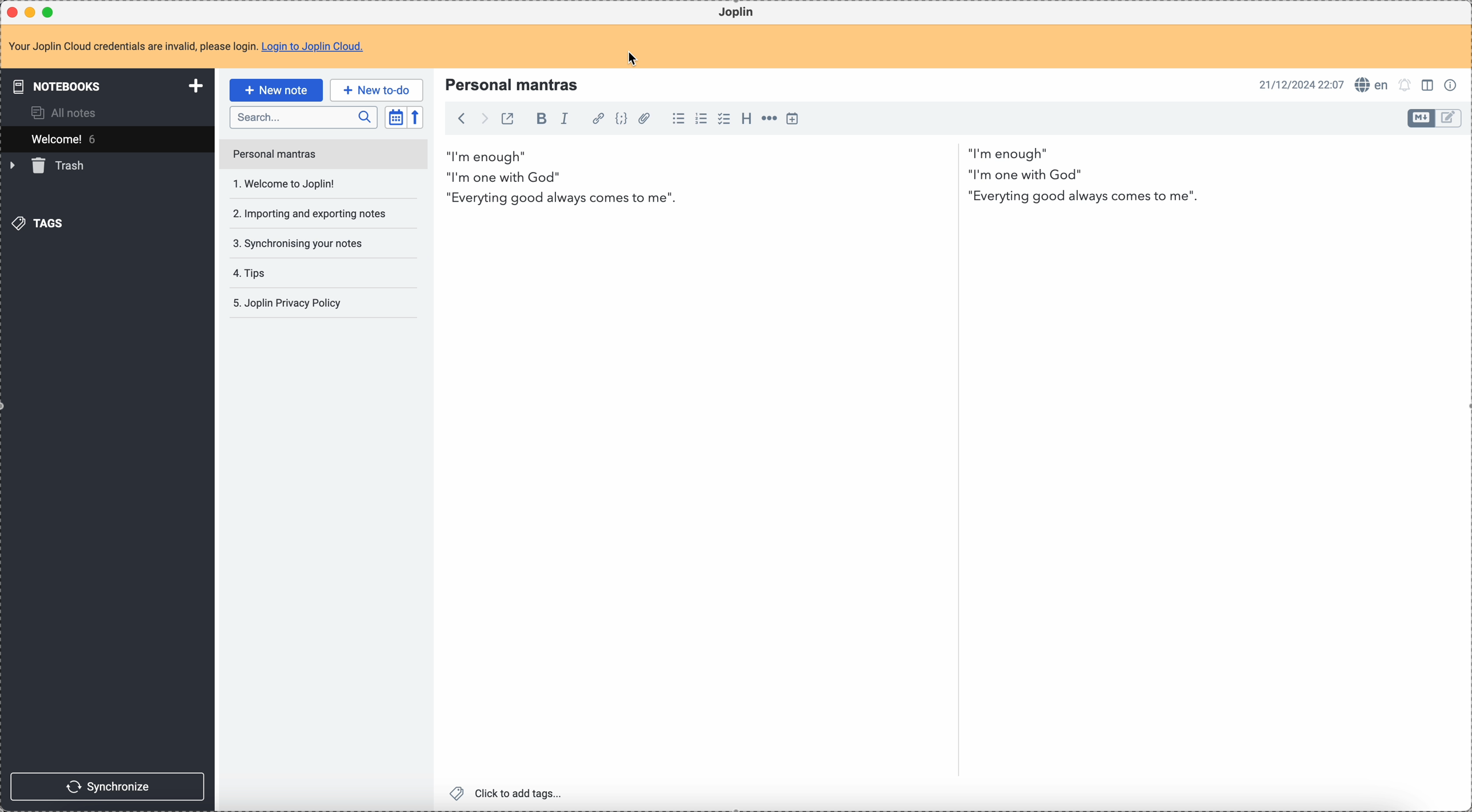 The height and width of the screenshot is (812, 1472). I want to click on toggle sort order field, so click(394, 117).